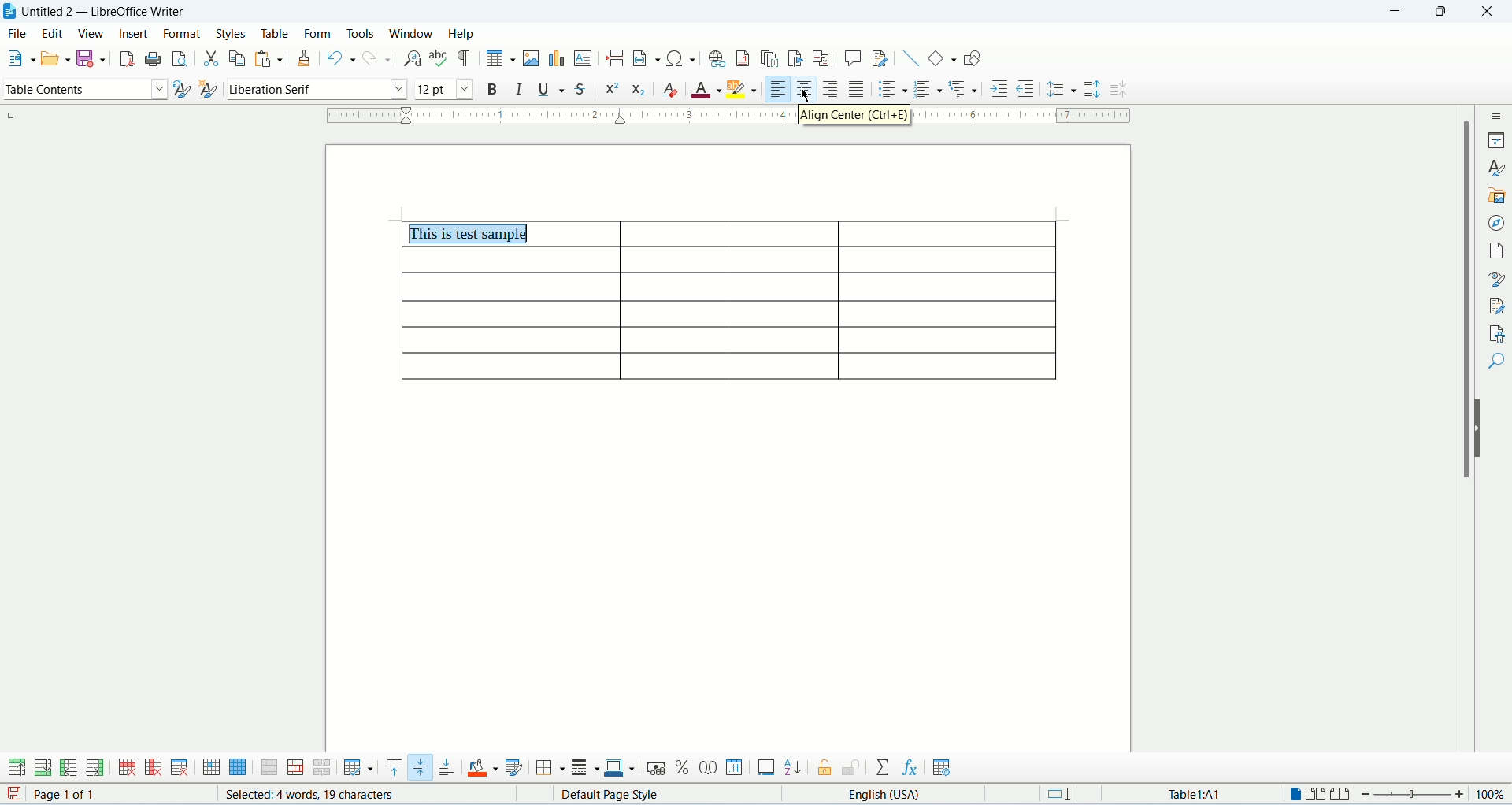 Image resolution: width=1512 pixels, height=805 pixels. What do you see at coordinates (1480, 428) in the screenshot?
I see `hide` at bounding box center [1480, 428].